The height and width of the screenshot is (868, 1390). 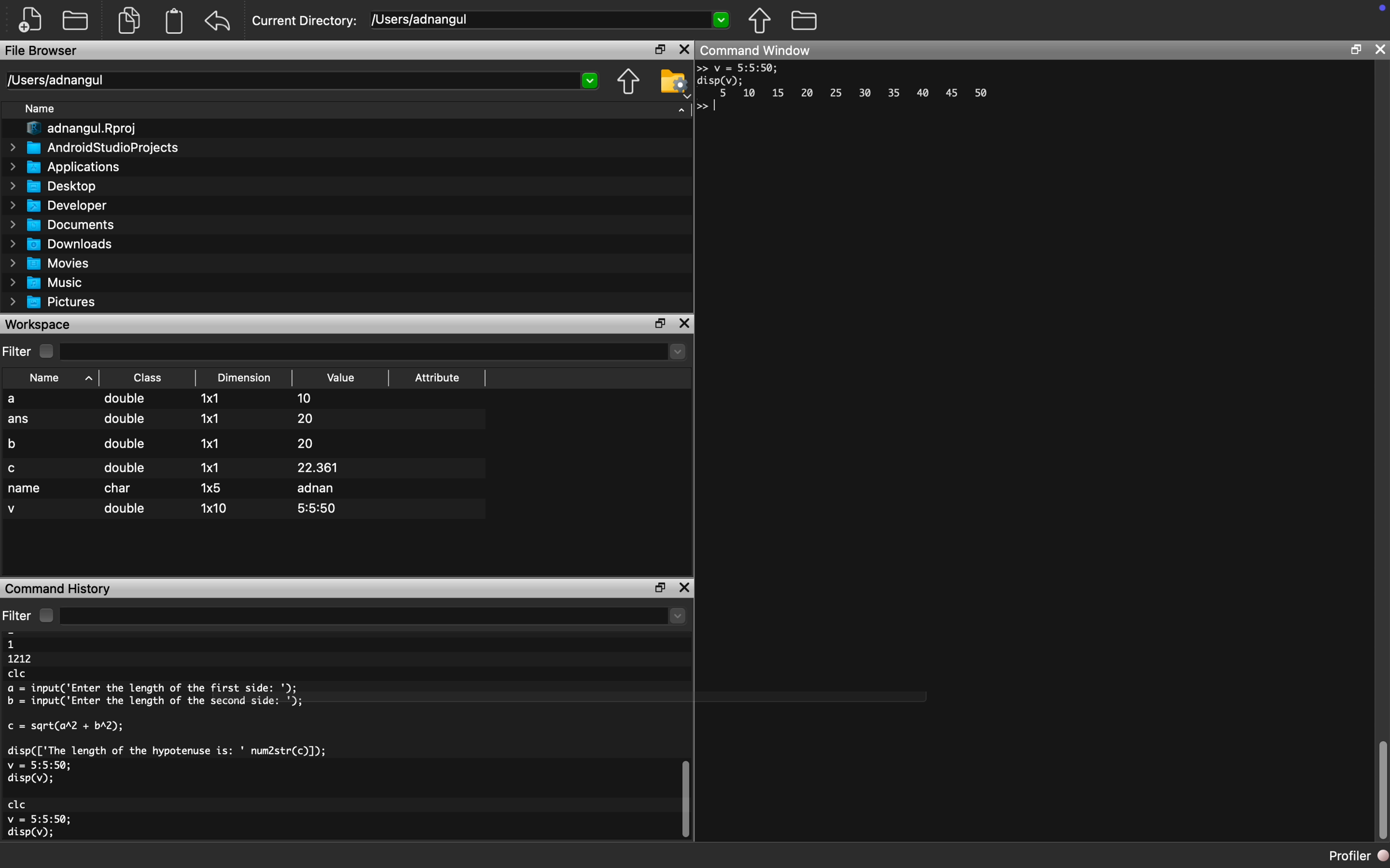 I want to click on Command History, so click(x=59, y=588).